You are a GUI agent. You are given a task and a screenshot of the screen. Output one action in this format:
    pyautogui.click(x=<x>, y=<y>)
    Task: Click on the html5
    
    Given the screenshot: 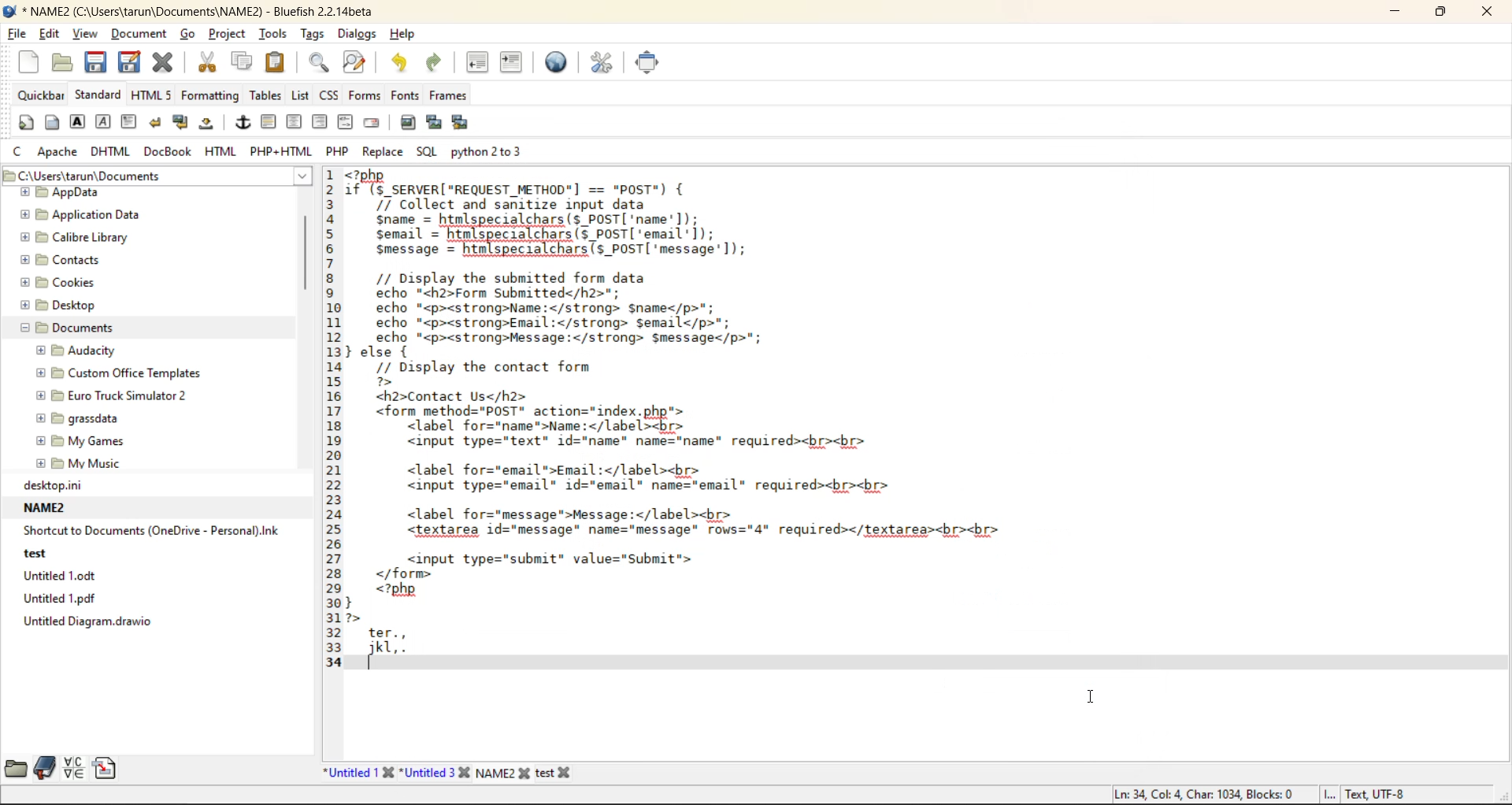 What is the action you would take?
    pyautogui.click(x=152, y=96)
    